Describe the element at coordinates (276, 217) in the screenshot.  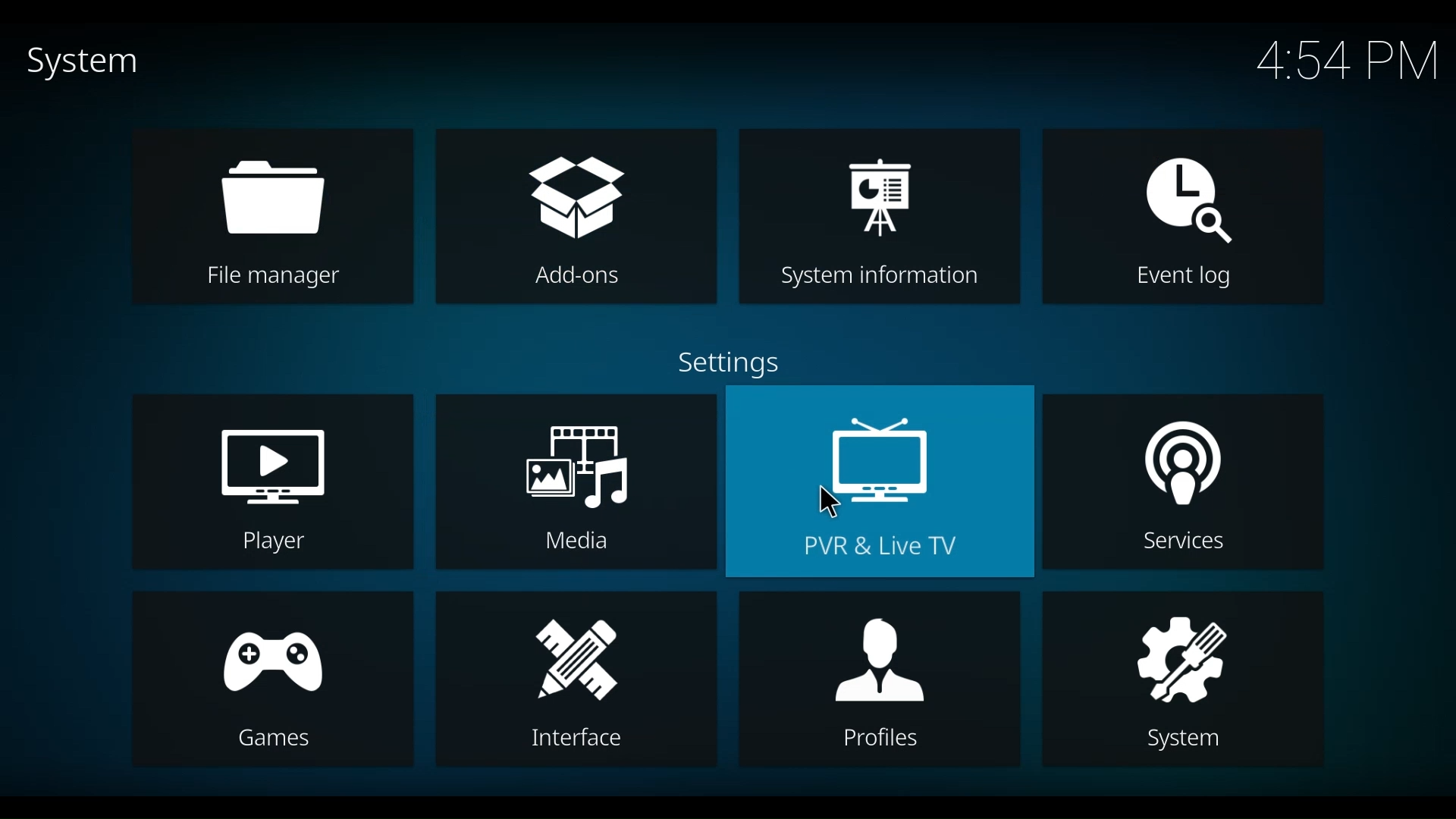
I see `File manager` at that location.